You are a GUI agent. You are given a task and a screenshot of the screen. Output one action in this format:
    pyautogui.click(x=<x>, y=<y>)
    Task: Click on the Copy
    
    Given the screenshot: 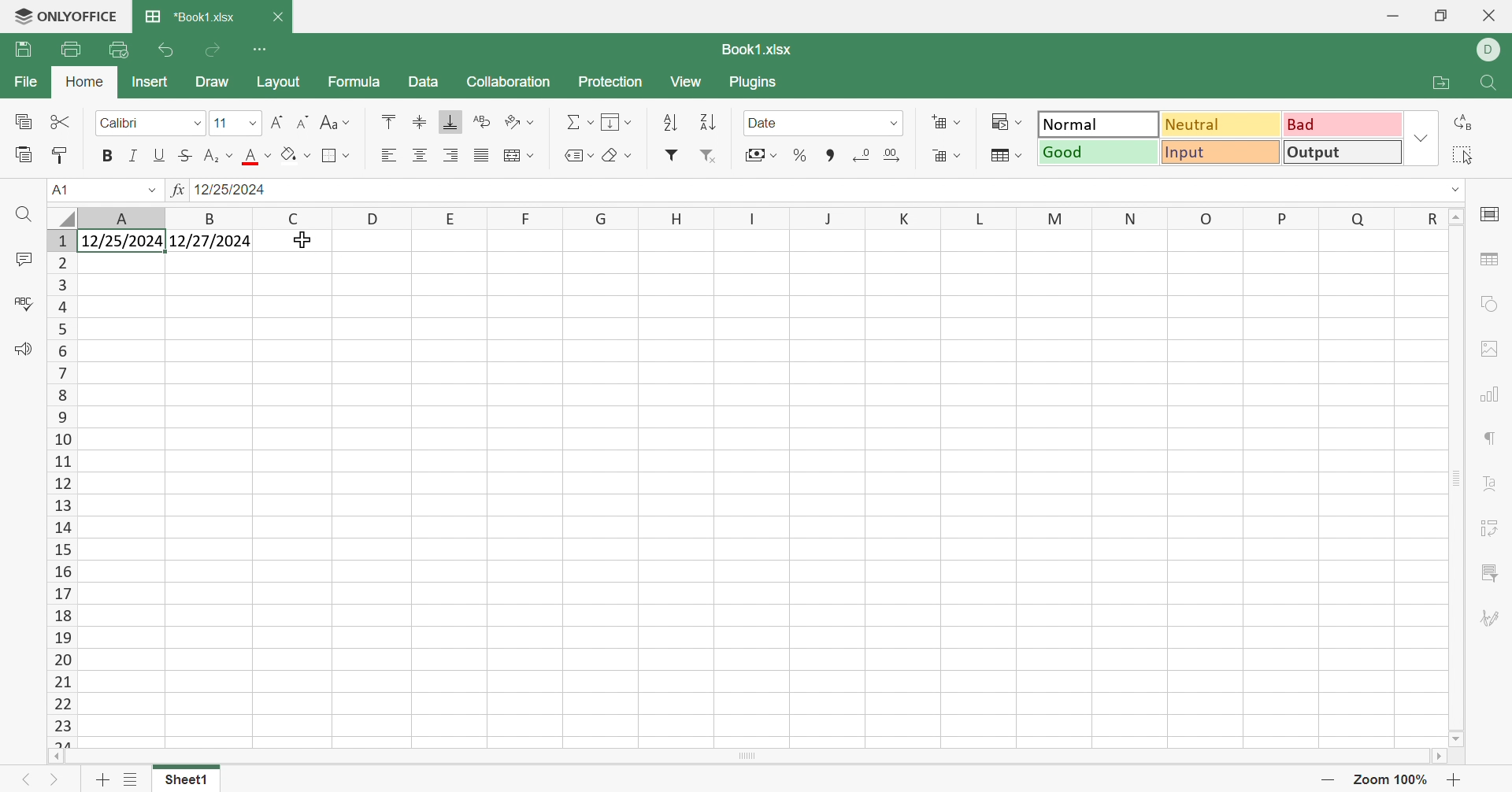 What is the action you would take?
    pyautogui.click(x=24, y=121)
    